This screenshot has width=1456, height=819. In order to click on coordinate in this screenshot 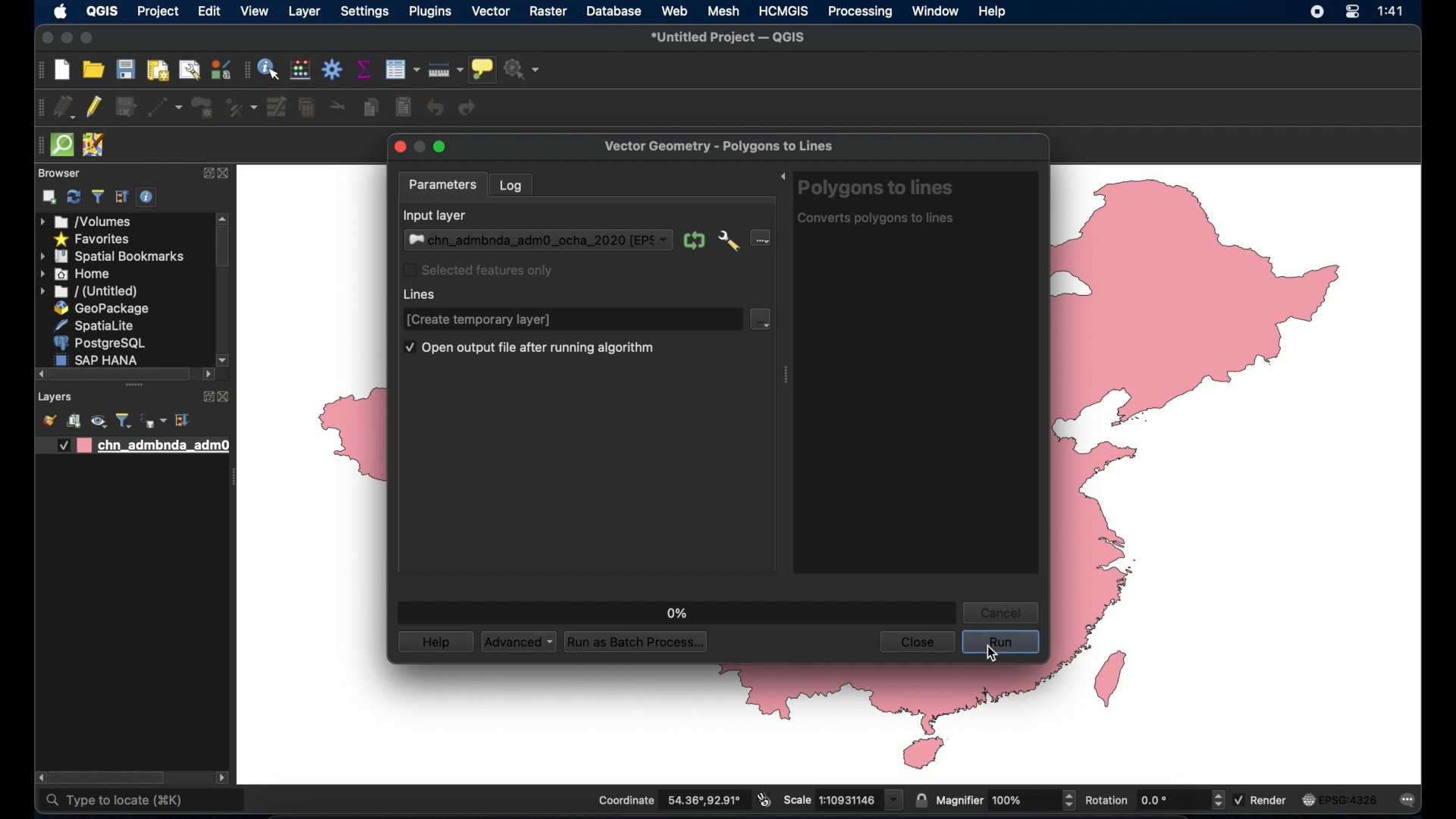, I will do `click(670, 800)`.